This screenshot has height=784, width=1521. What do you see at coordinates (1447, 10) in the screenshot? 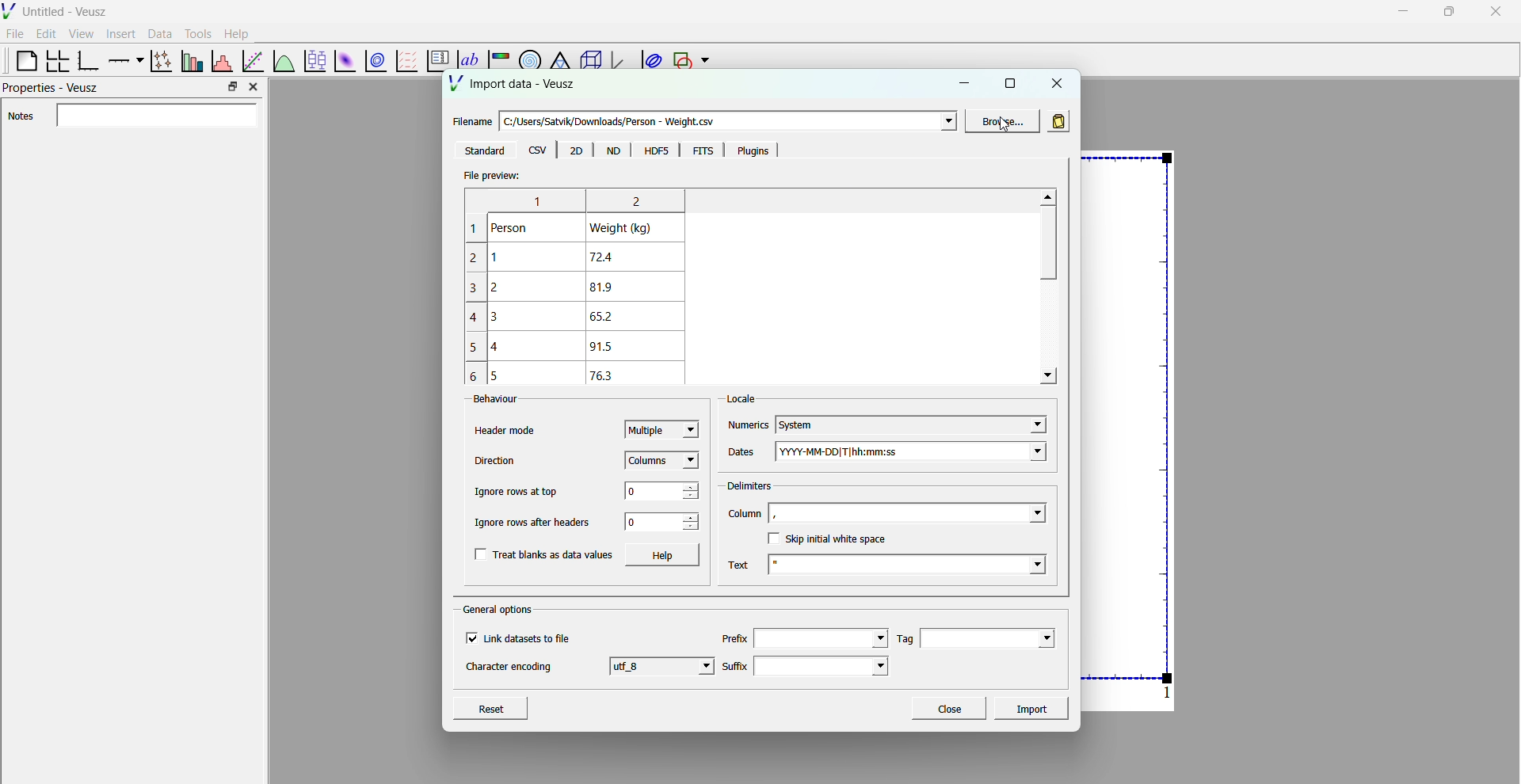
I see `maximize` at bounding box center [1447, 10].